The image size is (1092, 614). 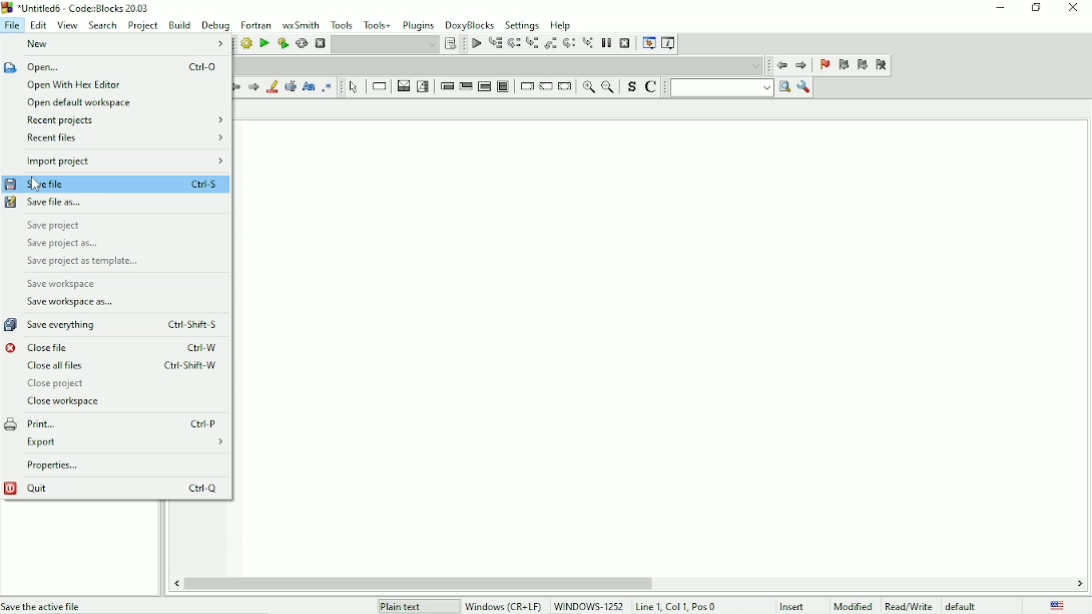 What do you see at coordinates (825, 66) in the screenshot?
I see `Toggle bookmark` at bounding box center [825, 66].